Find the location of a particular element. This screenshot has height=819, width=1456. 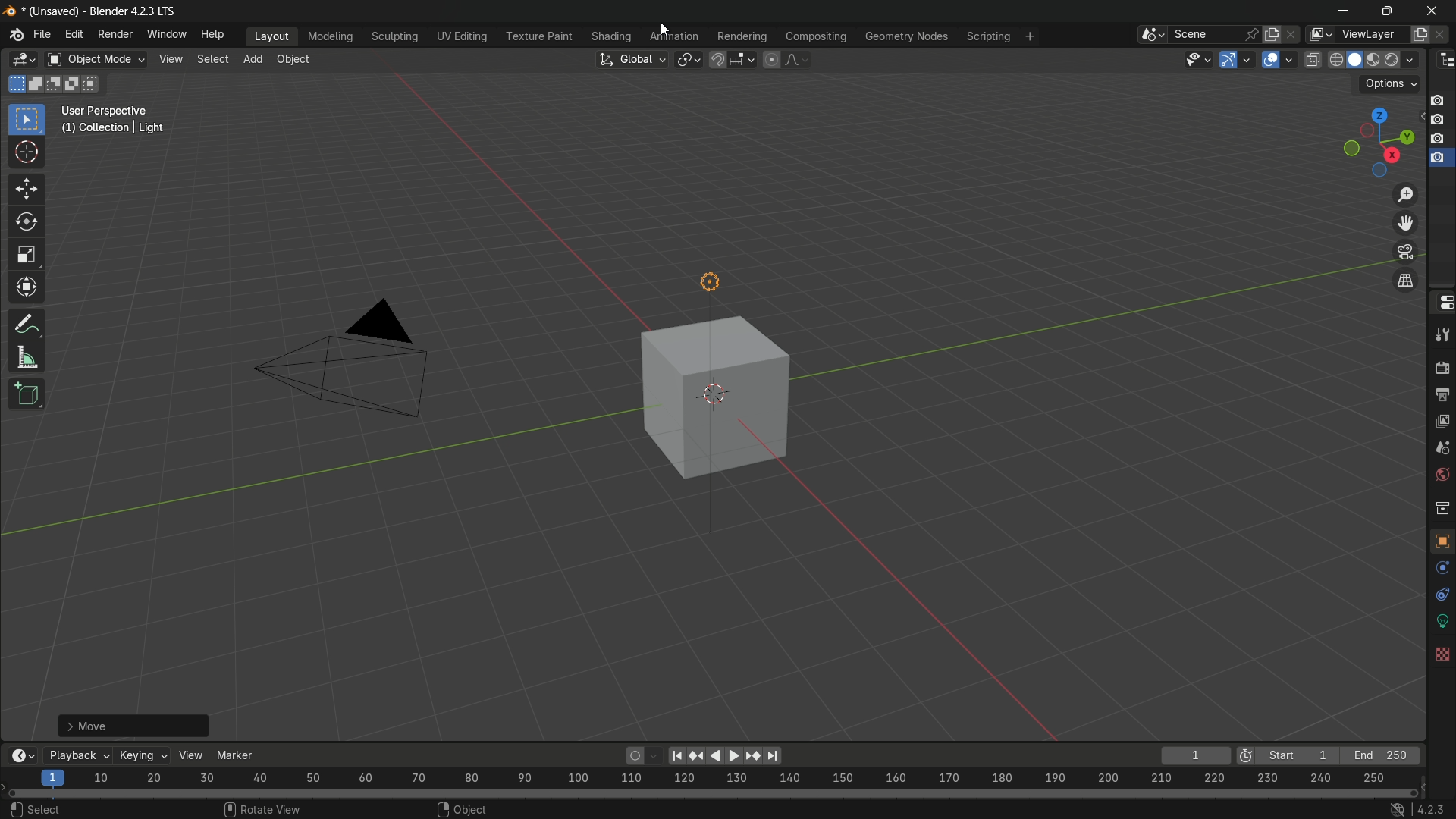

marker is located at coordinates (235, 755).